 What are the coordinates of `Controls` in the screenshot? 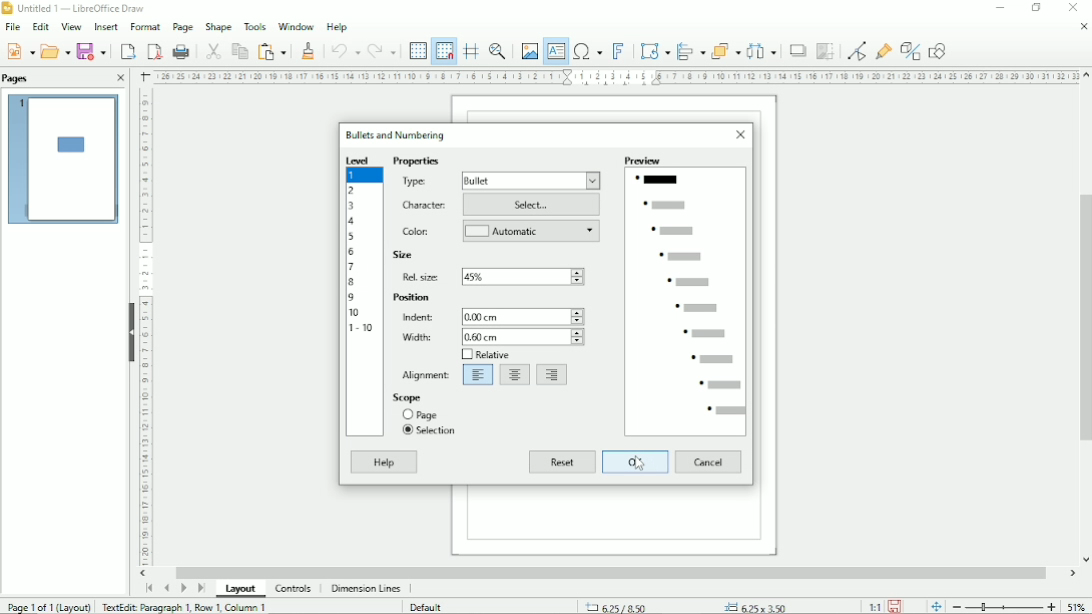 It's located at (293, 589).